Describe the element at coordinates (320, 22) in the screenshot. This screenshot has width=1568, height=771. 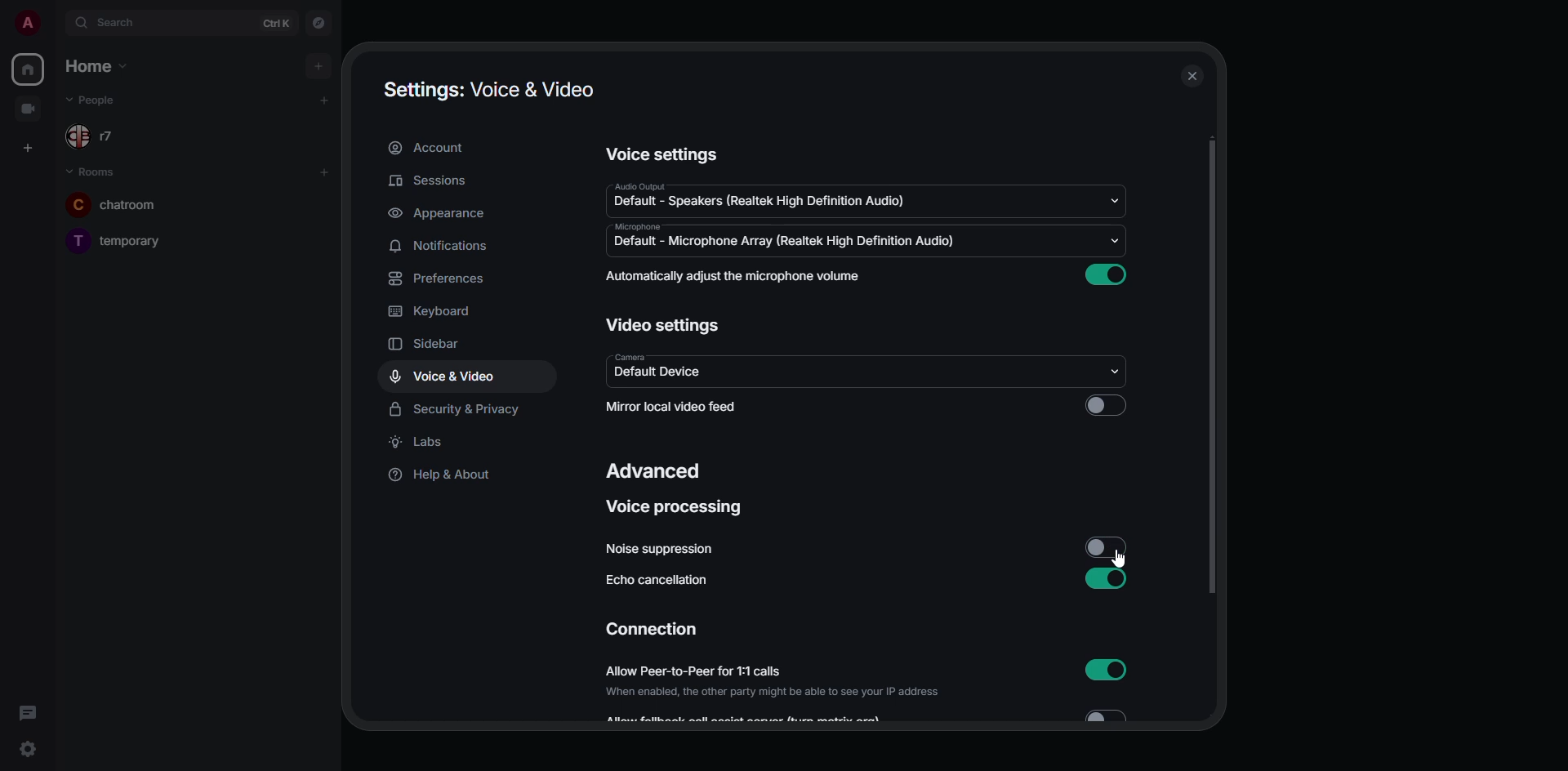
I see `navigator` at that location.